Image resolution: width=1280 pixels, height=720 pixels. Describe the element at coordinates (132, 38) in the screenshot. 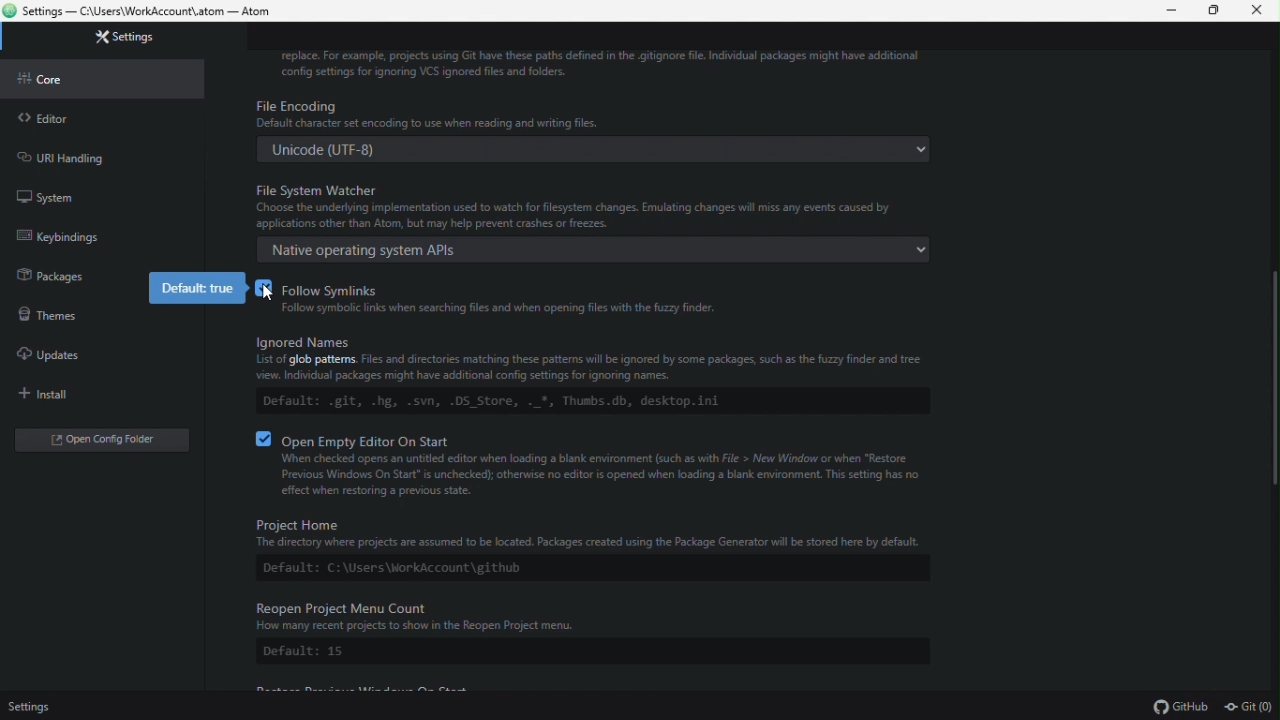

I see `Settings` at that location.